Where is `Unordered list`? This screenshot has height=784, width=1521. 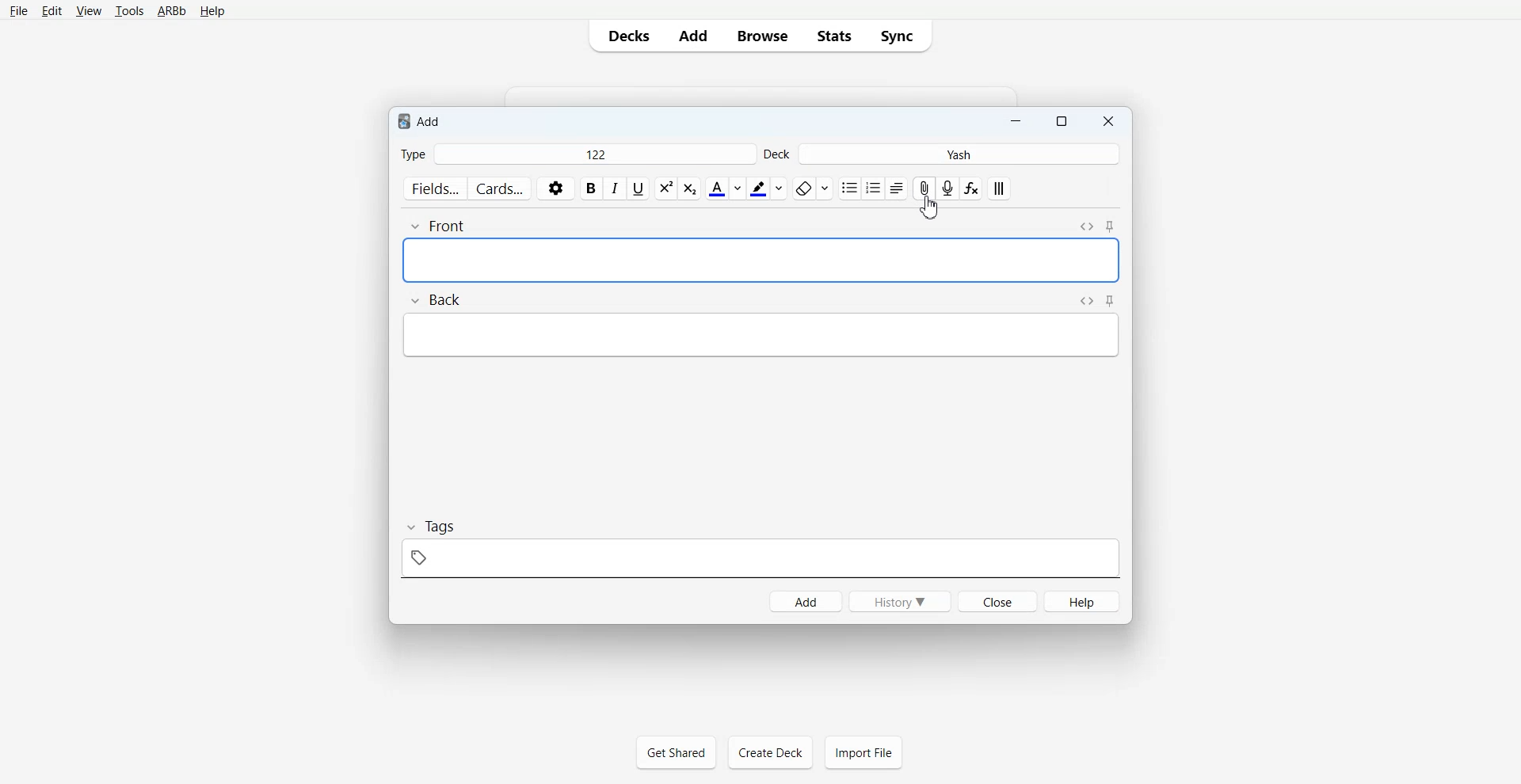
Unordered list is located at coordinates (848, 188).